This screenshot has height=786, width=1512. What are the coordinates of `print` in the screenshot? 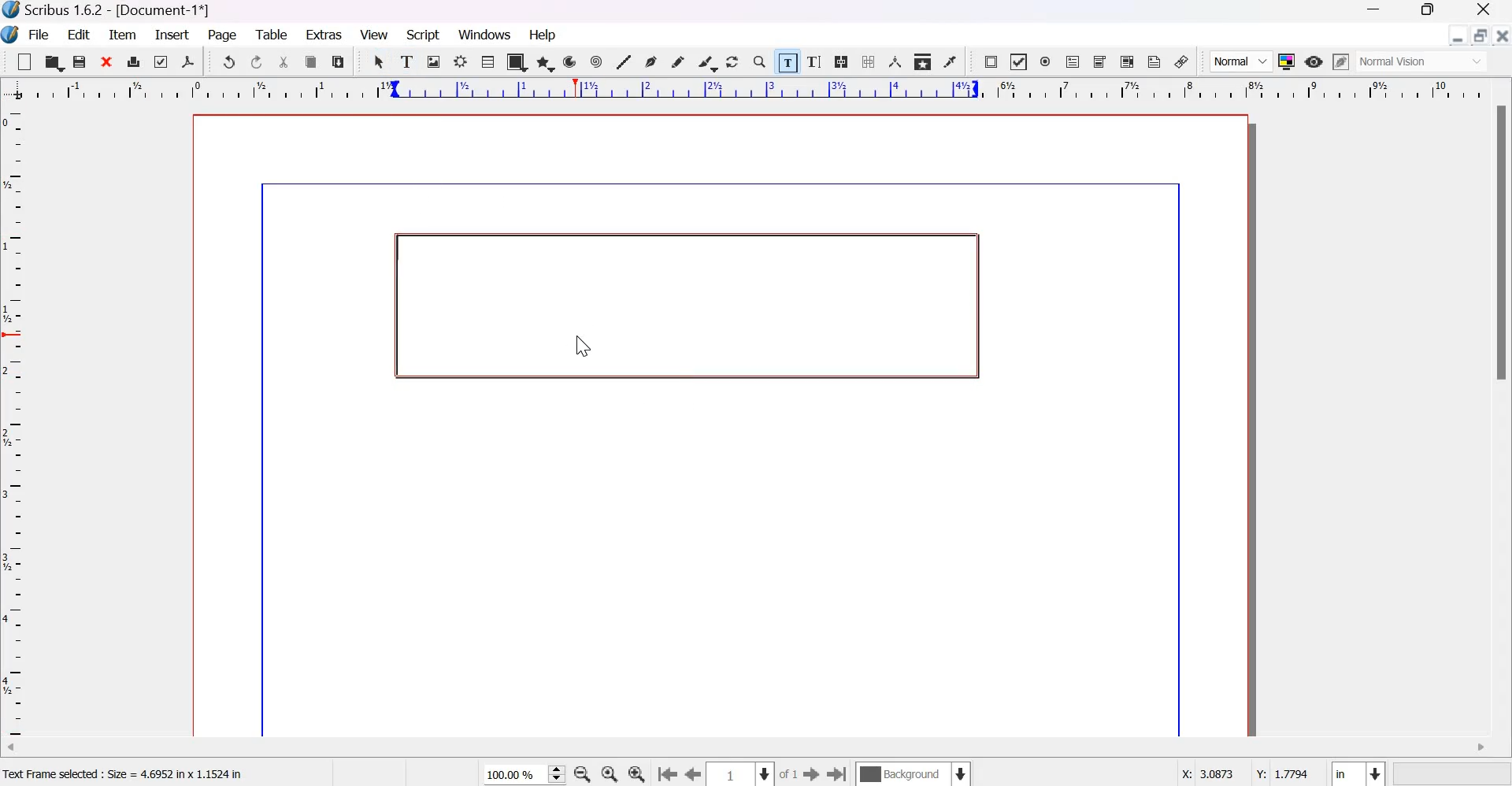 It's located at (134, 61).